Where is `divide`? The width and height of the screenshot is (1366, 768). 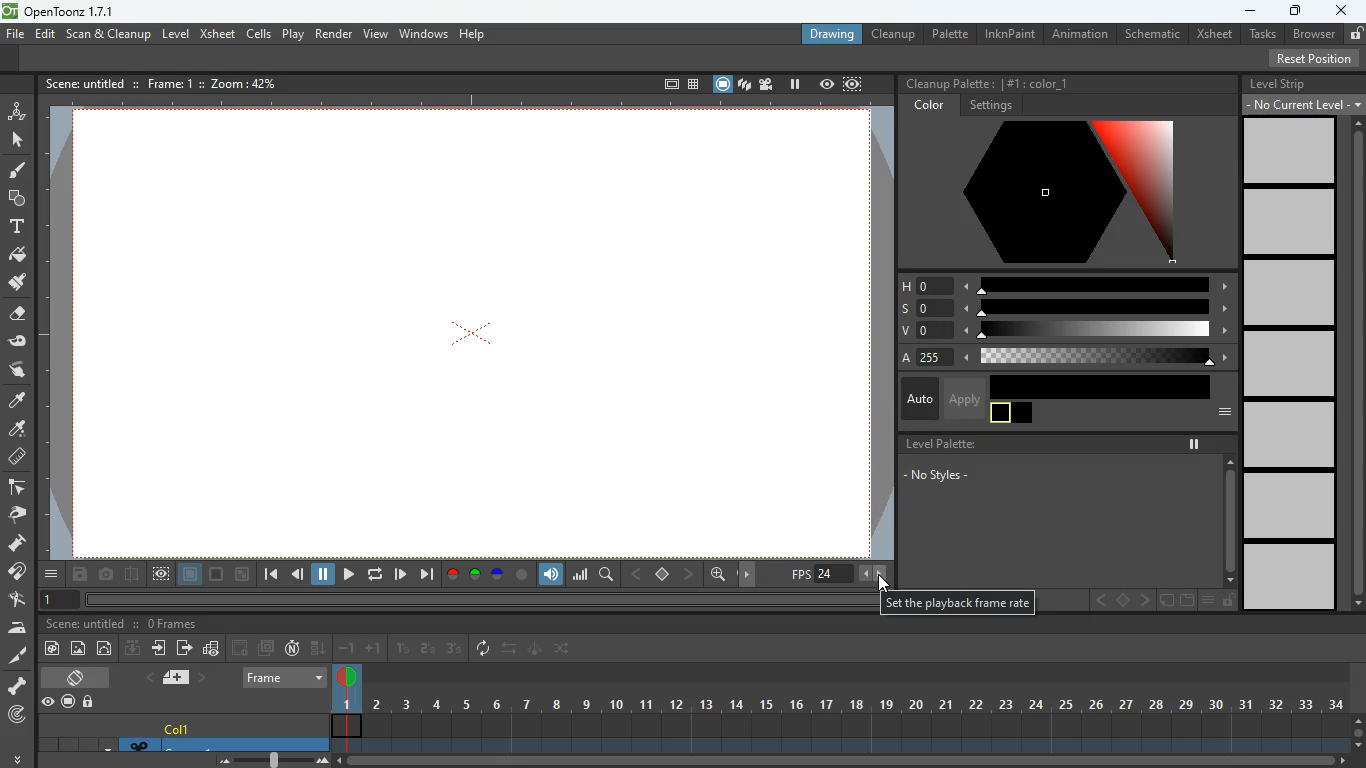
divide is located at coordinates (131, 575).